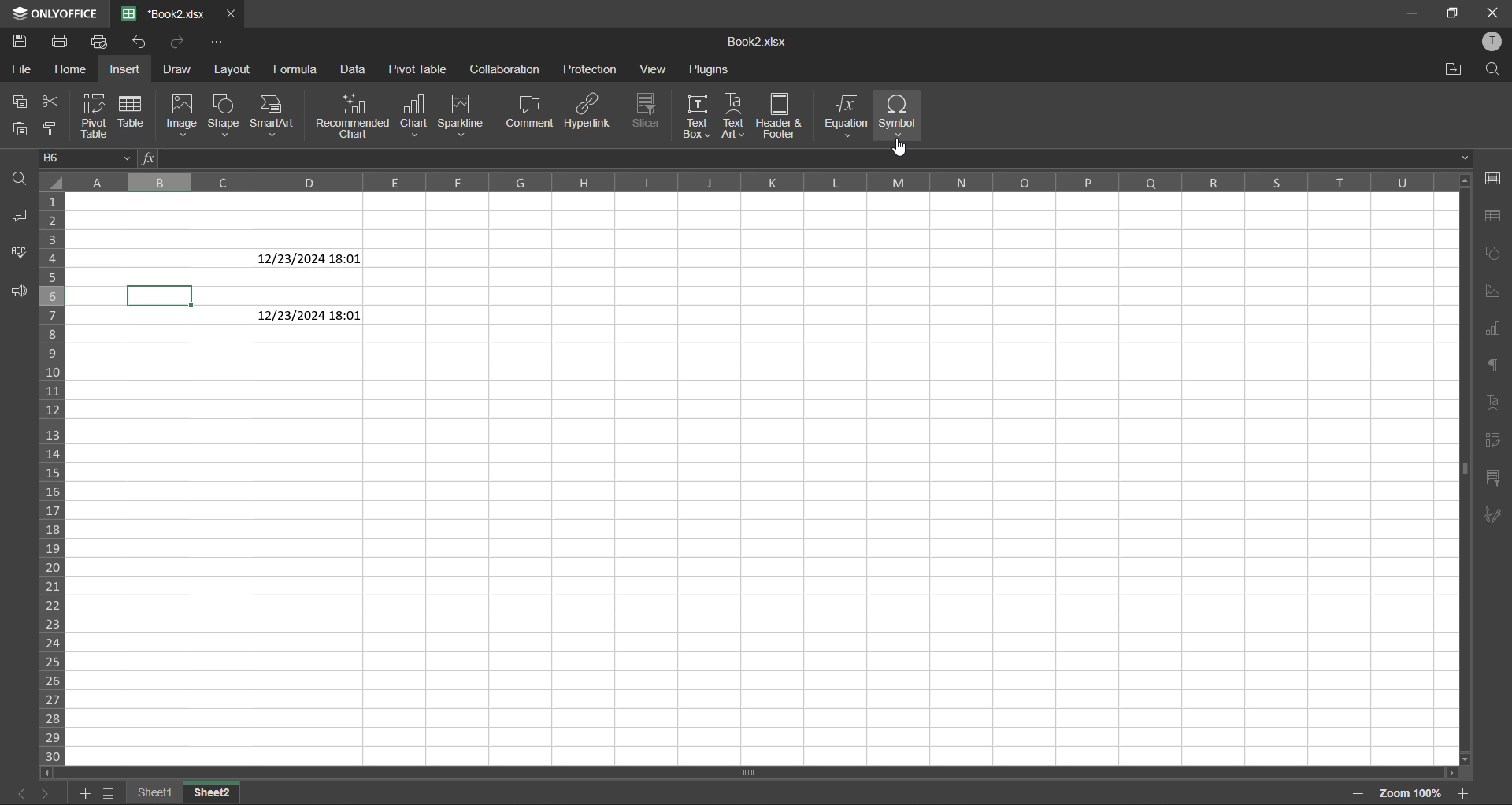 This screenshot has height=805, width=1512. I want to click on previous, so click(18, 793).